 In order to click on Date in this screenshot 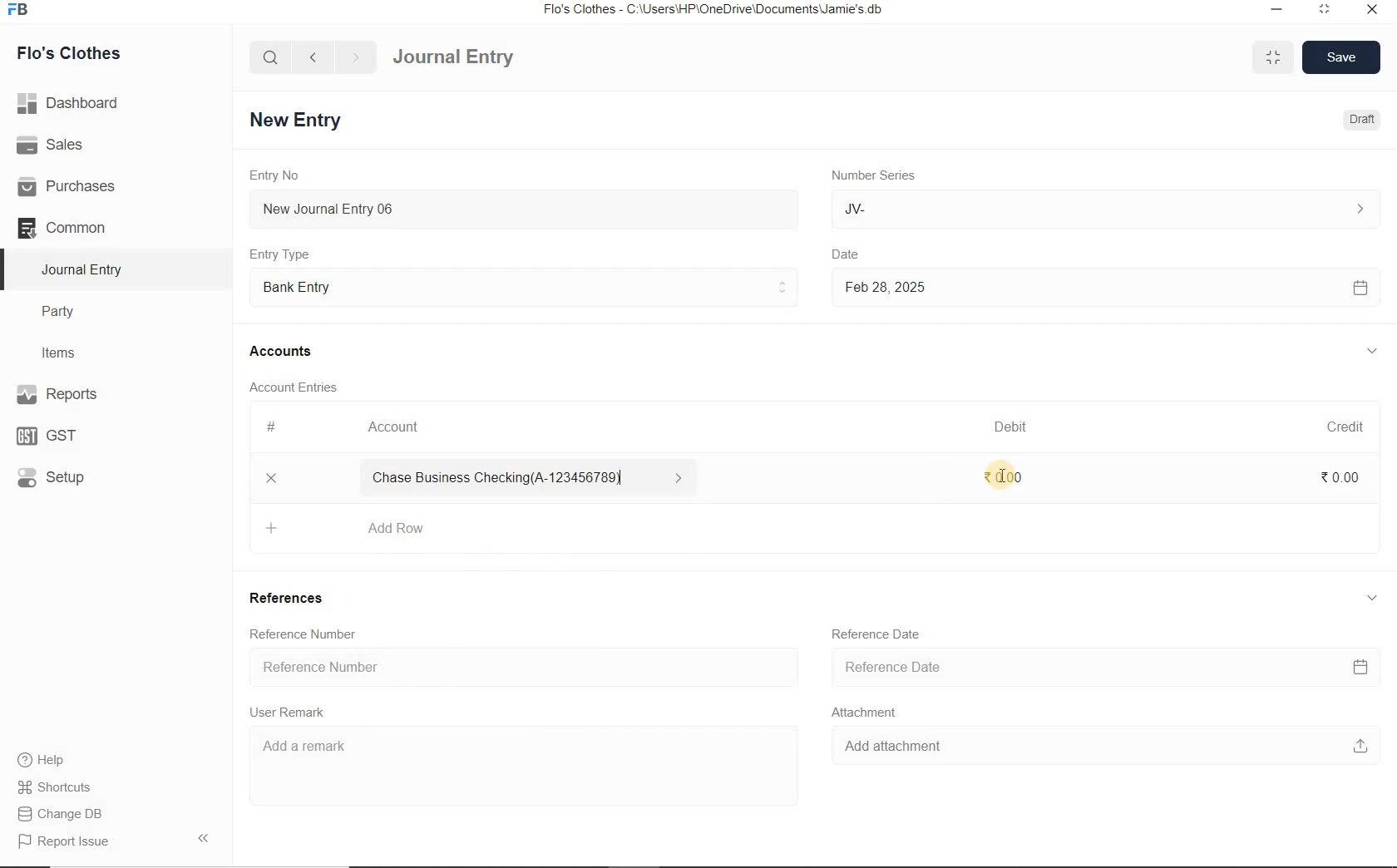, I will do `click(857, 252)`.